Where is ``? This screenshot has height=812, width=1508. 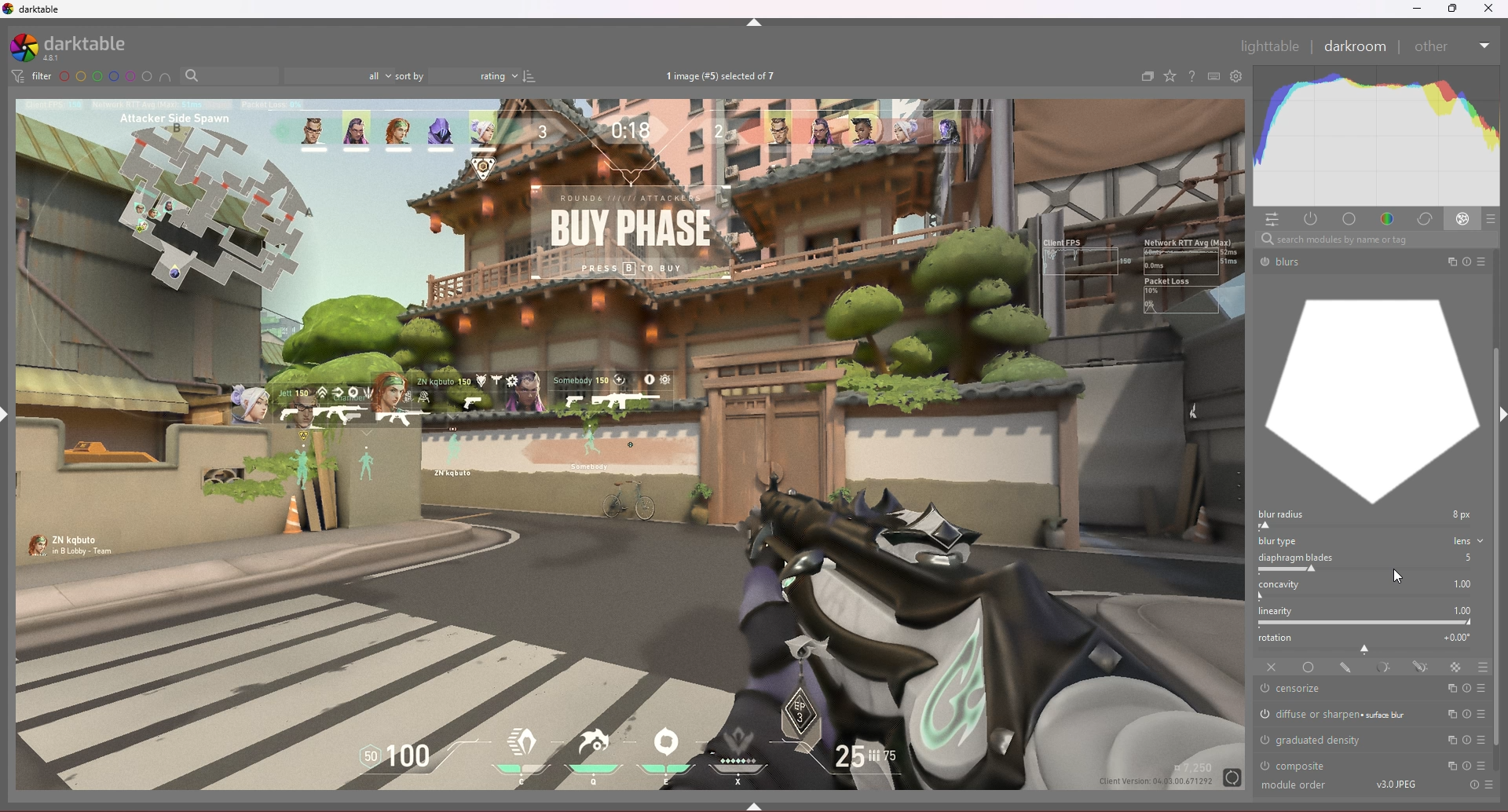
 is located at coordinates (1452, 262).